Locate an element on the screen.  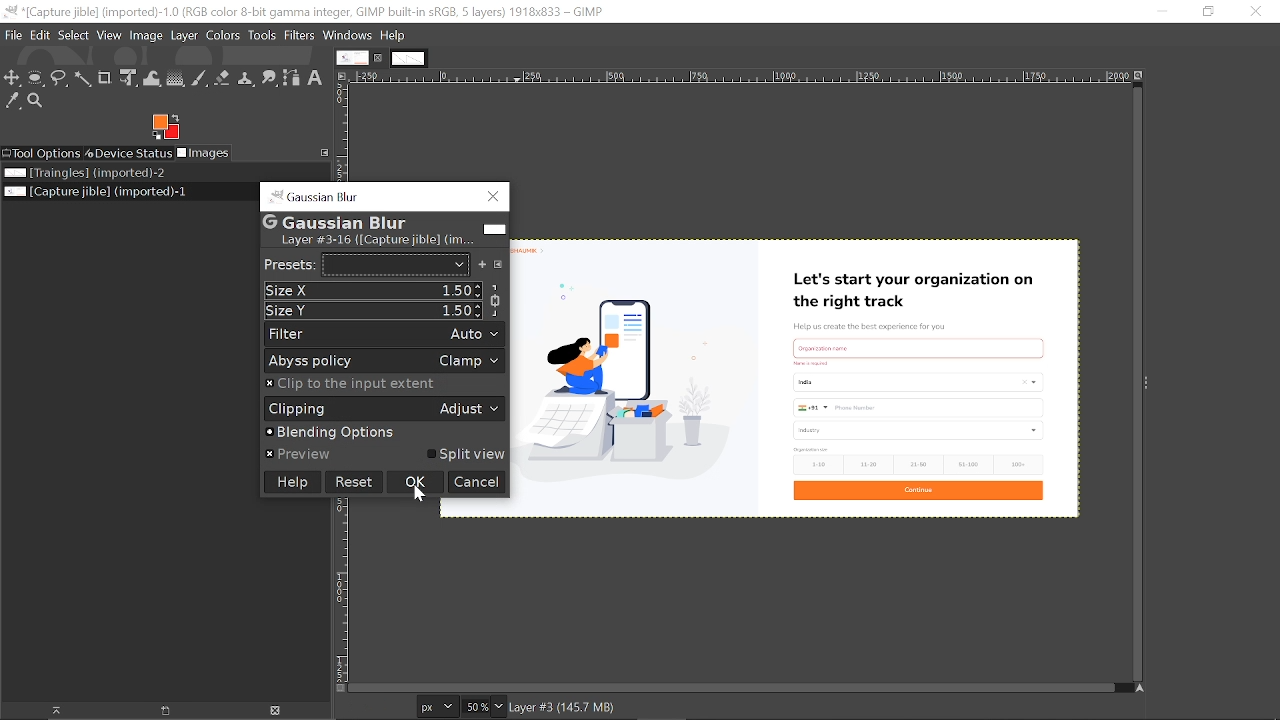
Move tool is located at coordinates (13, 79).